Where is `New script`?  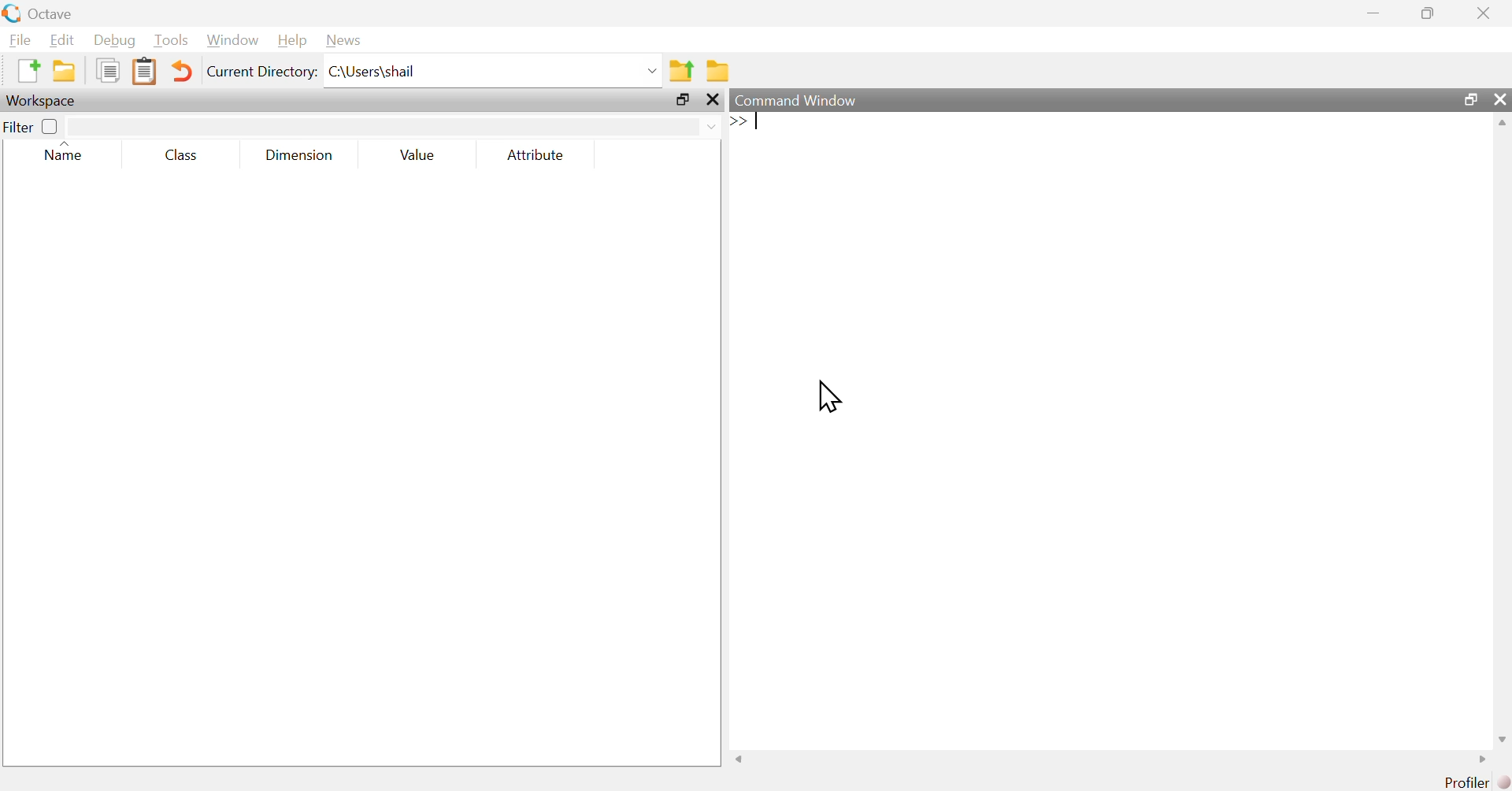 New script is located at coordinates (28, 71).